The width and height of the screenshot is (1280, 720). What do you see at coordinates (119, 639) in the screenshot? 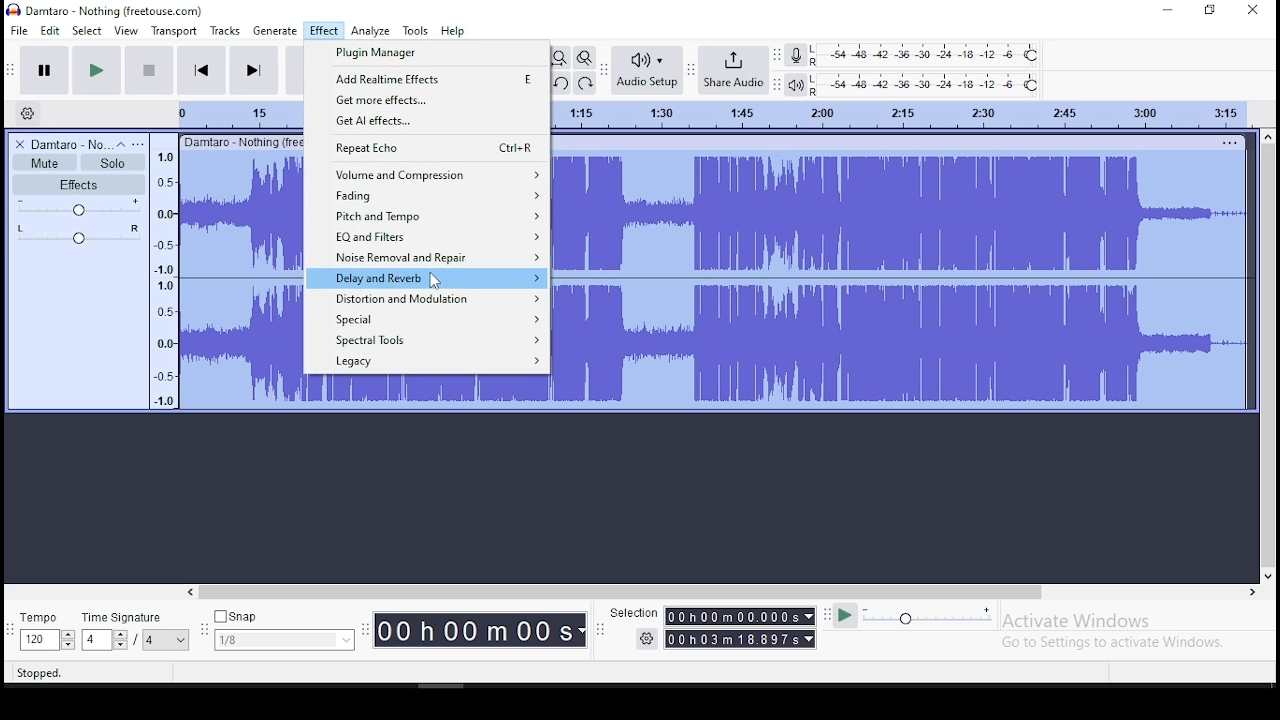
I see `Drop down` at bounding box center [119, 639].